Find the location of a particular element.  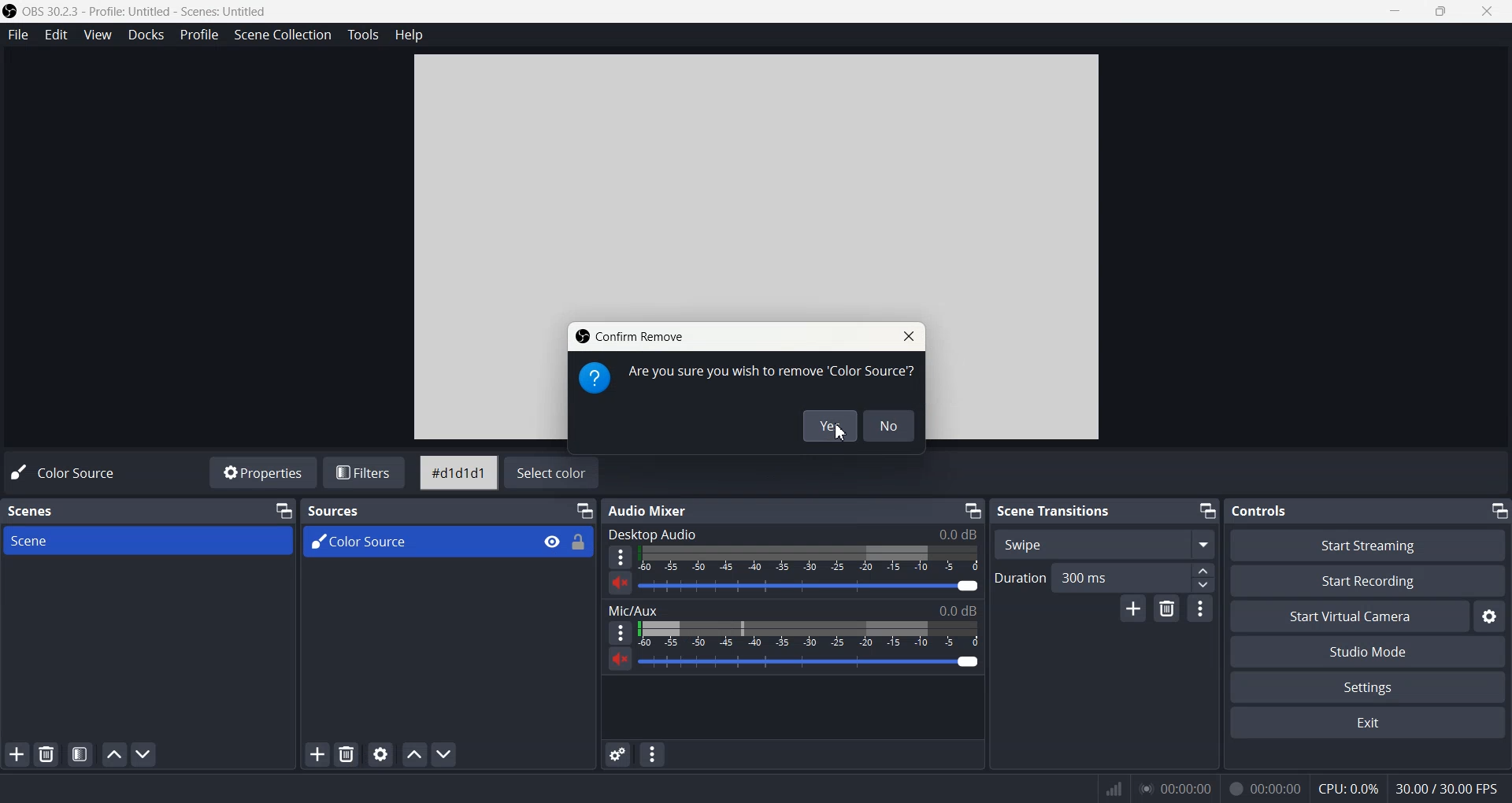

Duration is located at coordinates (1020, 576).